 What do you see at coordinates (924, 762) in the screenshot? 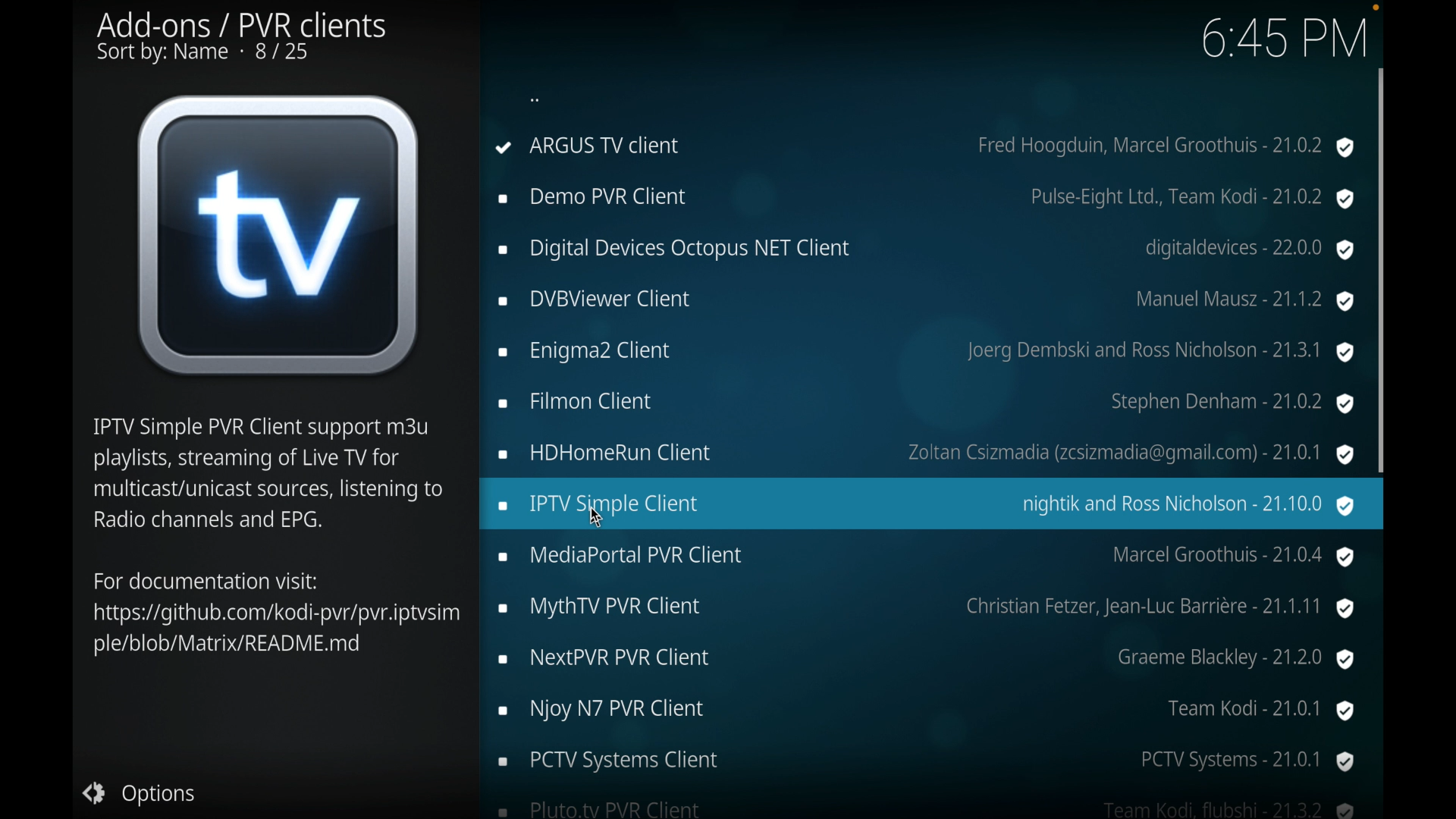
I see `pctv systems client` at bounding box center [924, 762].